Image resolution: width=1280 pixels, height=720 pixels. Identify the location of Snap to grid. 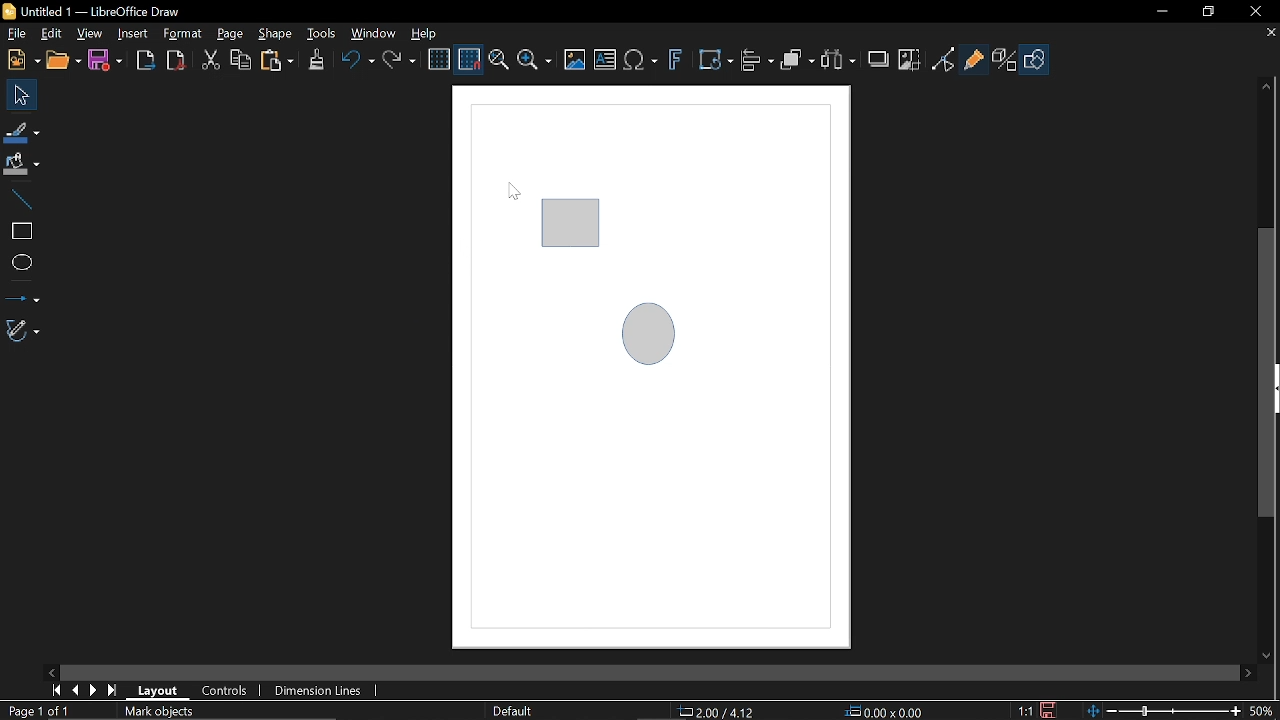
(470, 59).